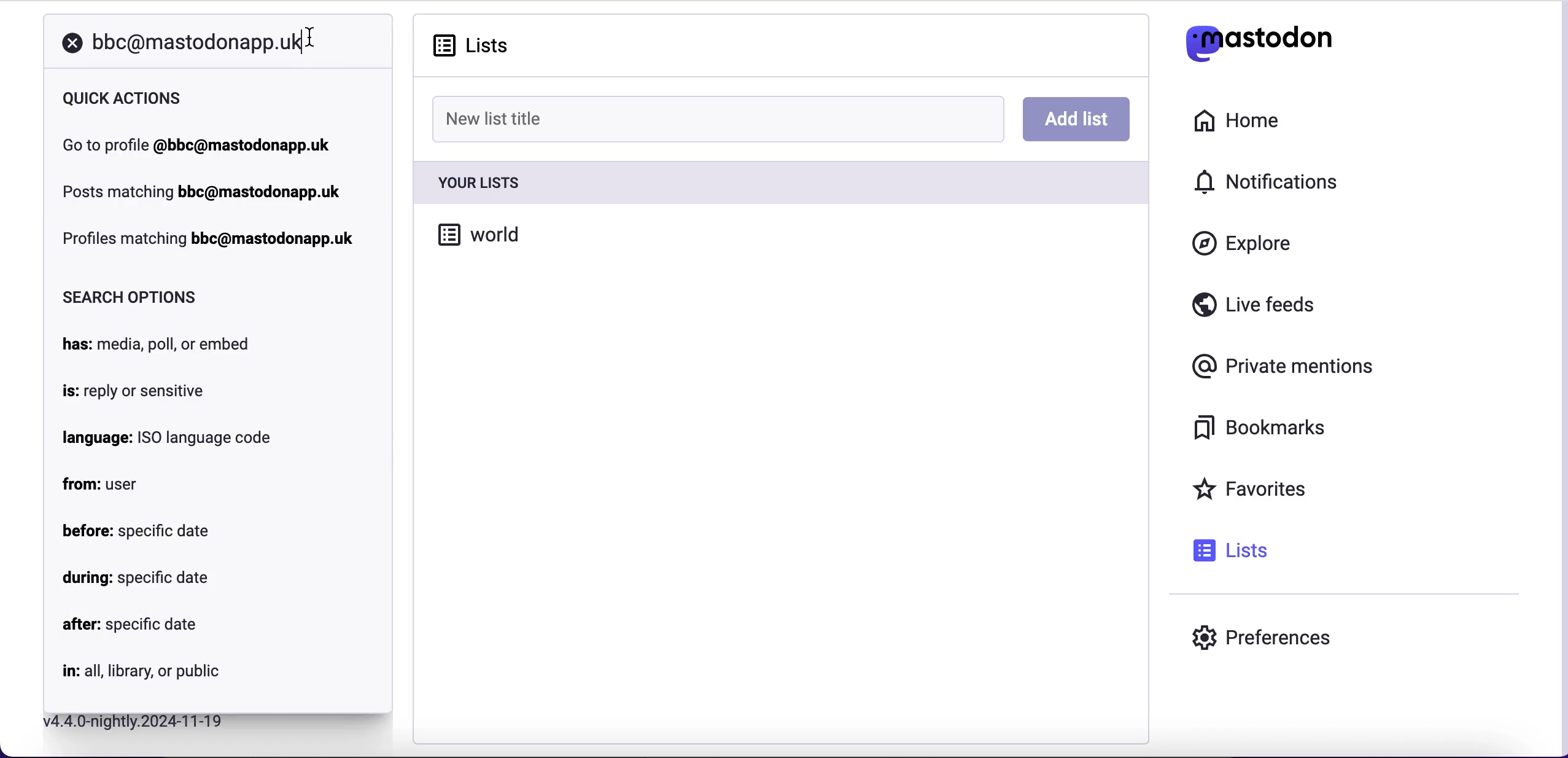 The height and width of the screenshot is (758, 1568). What do you see at coordinates (135, 579) in the screenshot?
I see `during: specific date` at bounding box center [135, 579].